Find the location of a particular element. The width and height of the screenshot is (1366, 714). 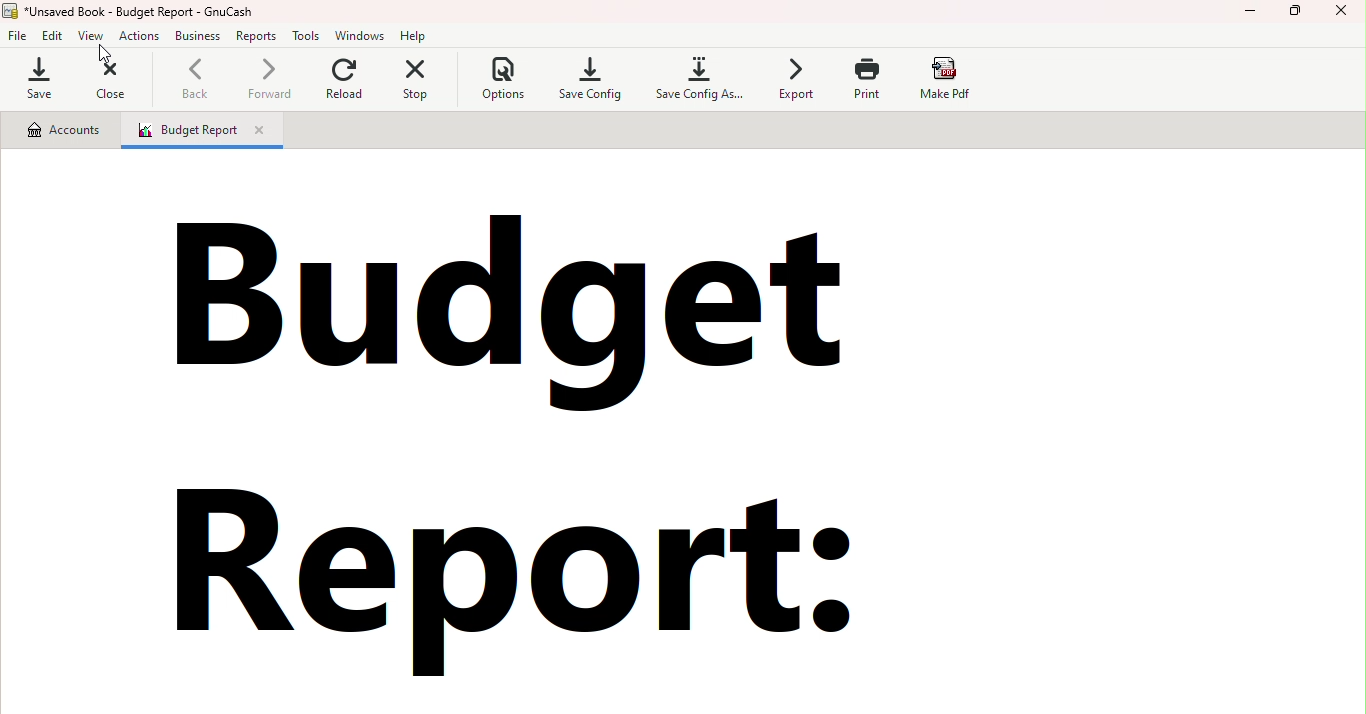

view is located at coordinates (93, 36).